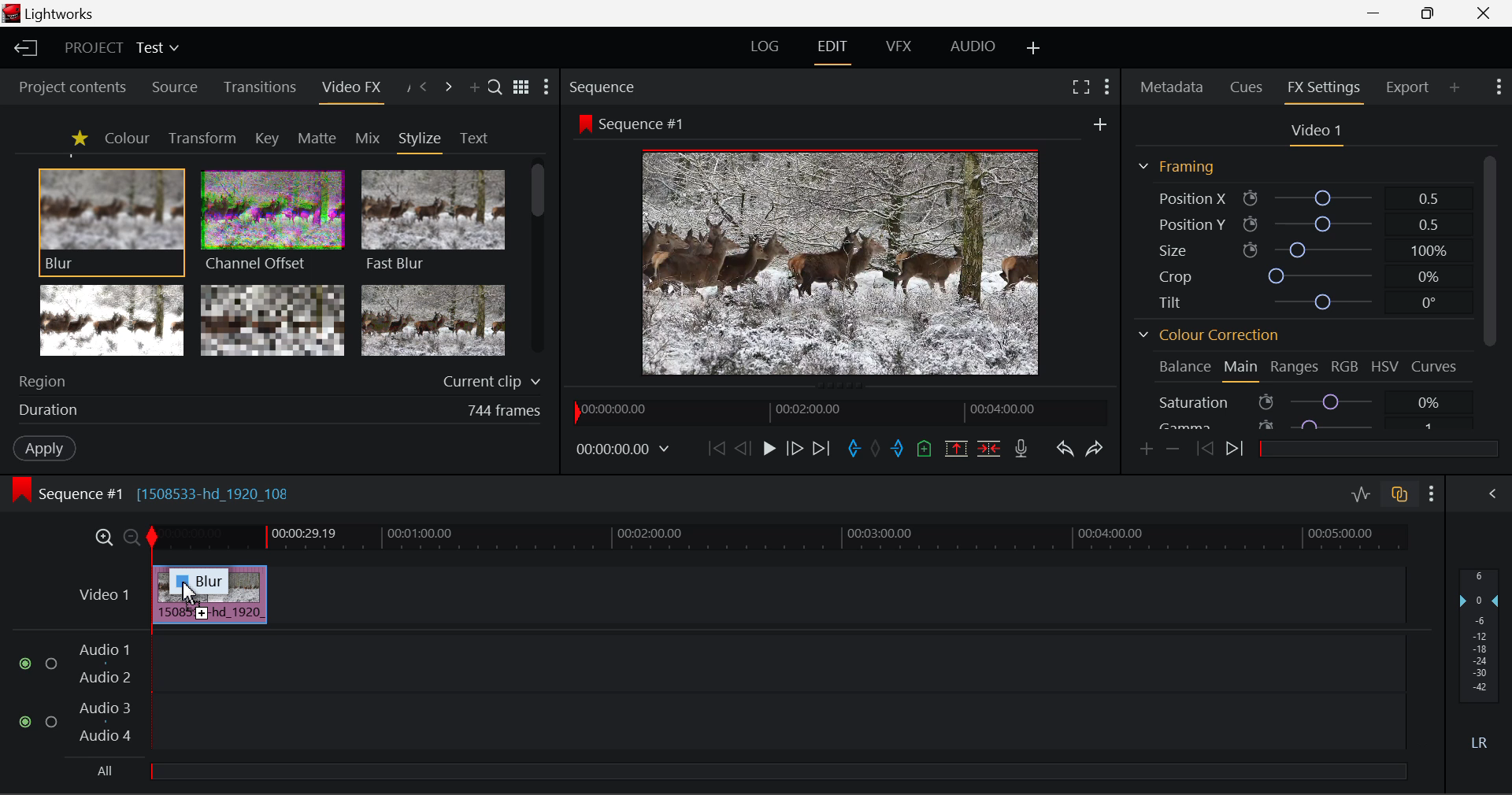 This screenshot has height=795, width=1512. What do you see at coordinates (958, 447) in the screenshot?
I see `Remove Marked Section` at bounding box center [958, 447].